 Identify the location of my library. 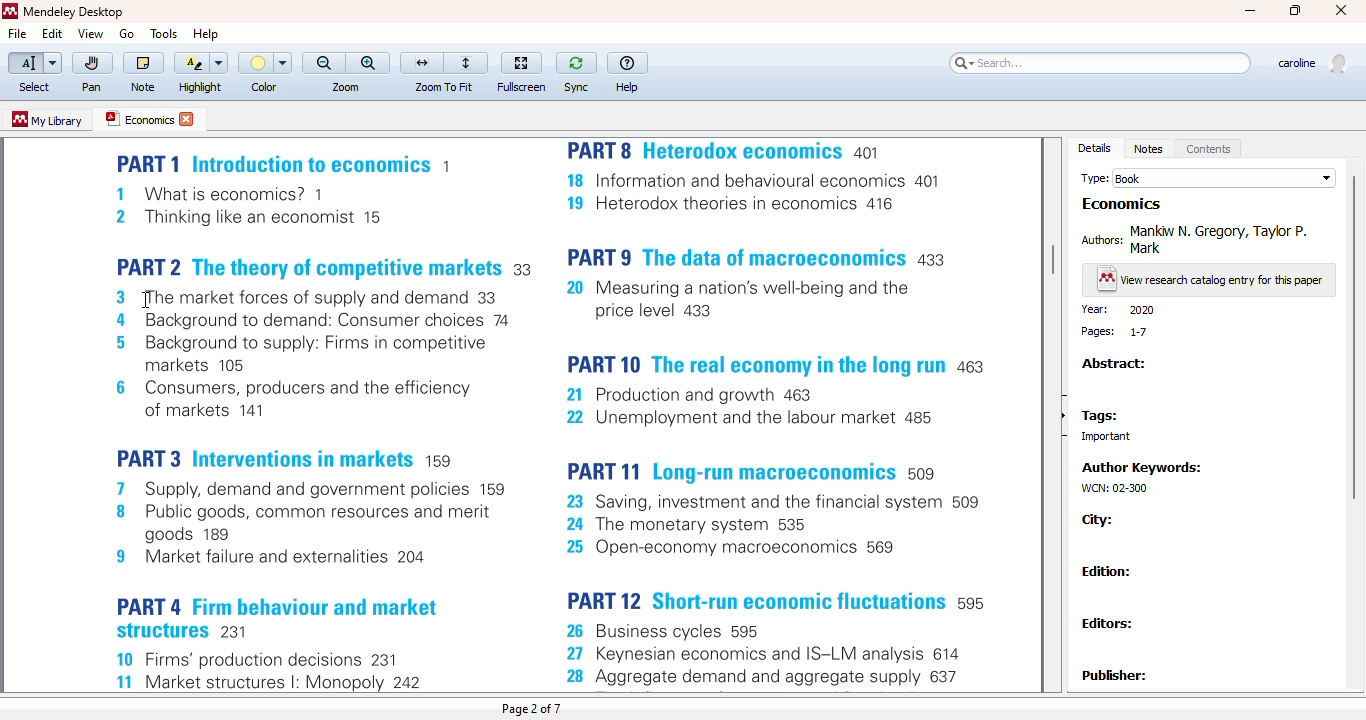
(46, 119).